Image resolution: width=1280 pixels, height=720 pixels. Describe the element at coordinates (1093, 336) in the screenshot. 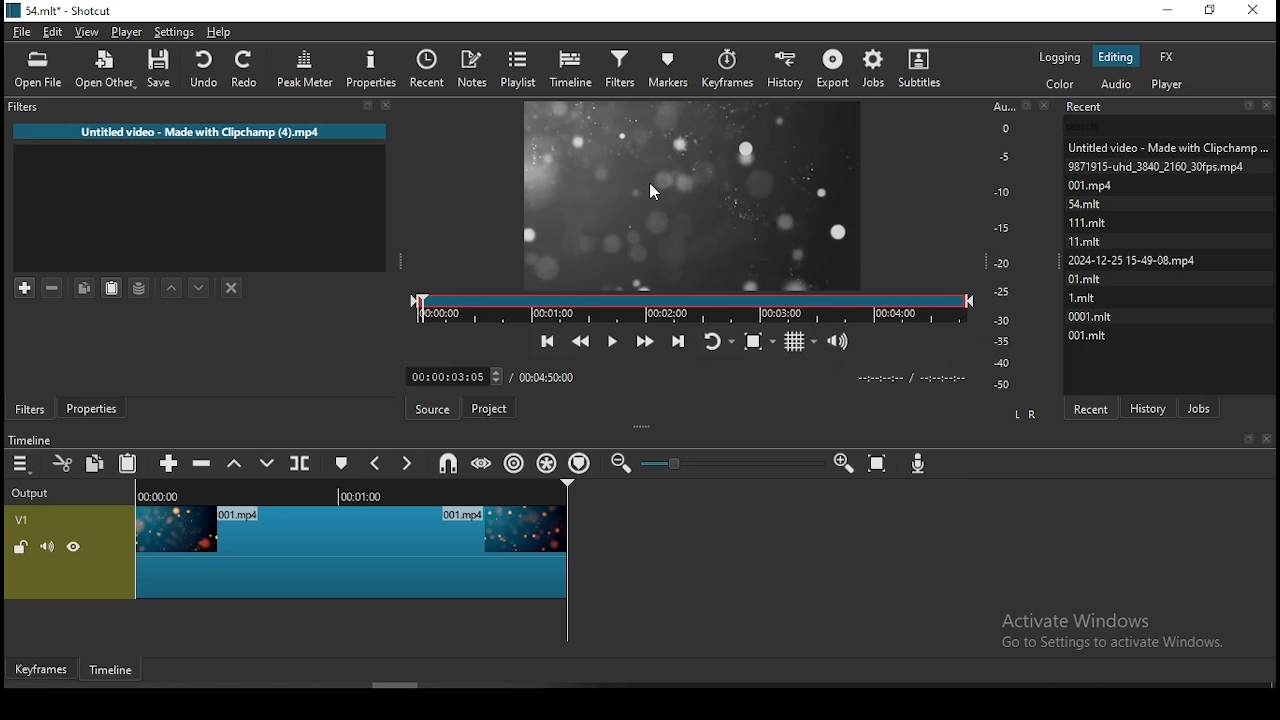

I see `files` at that location.